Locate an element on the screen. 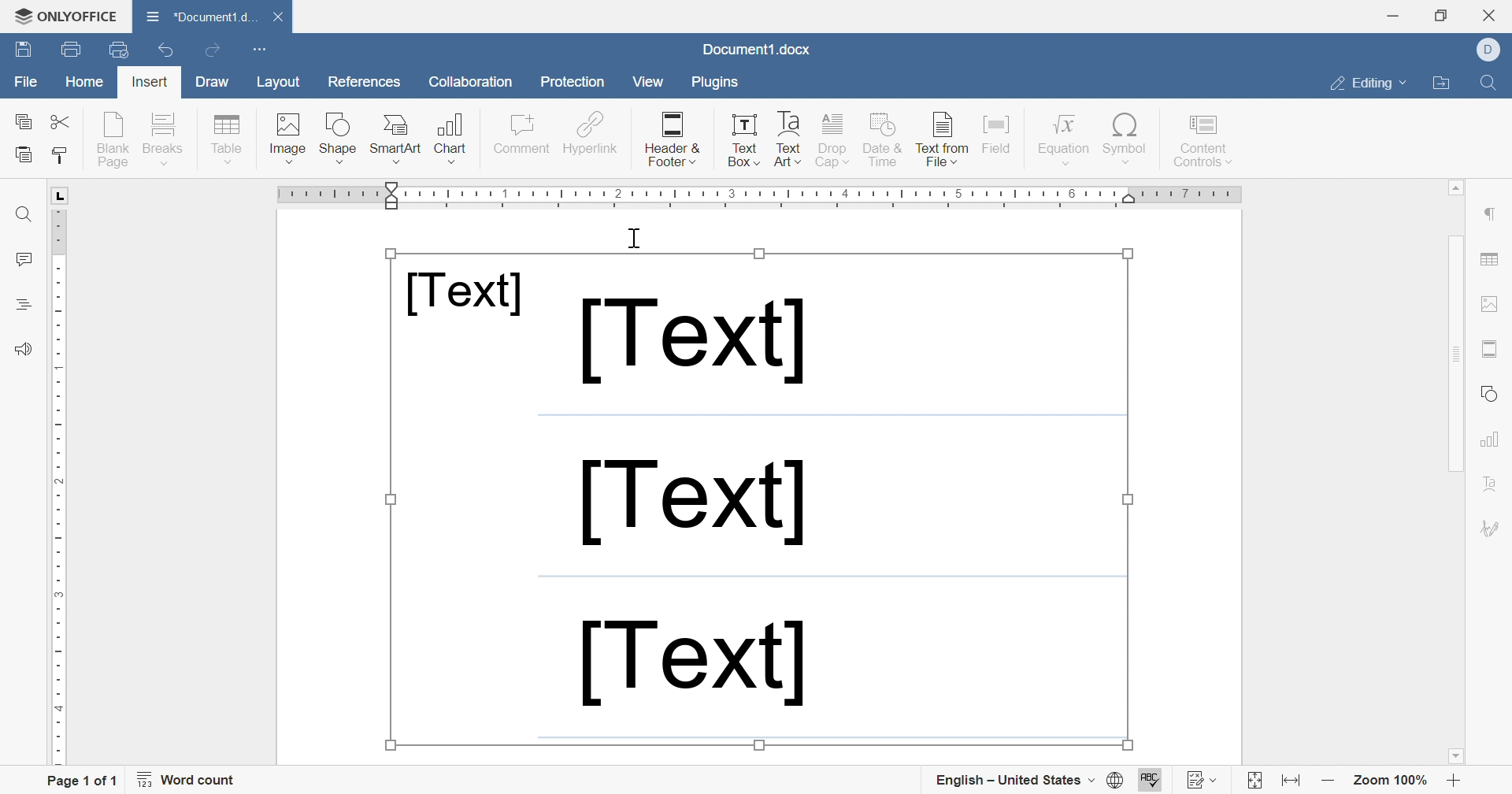 The height and width of the screenshot is (794, 1512). [Text] is located at coordinates (464, 293).